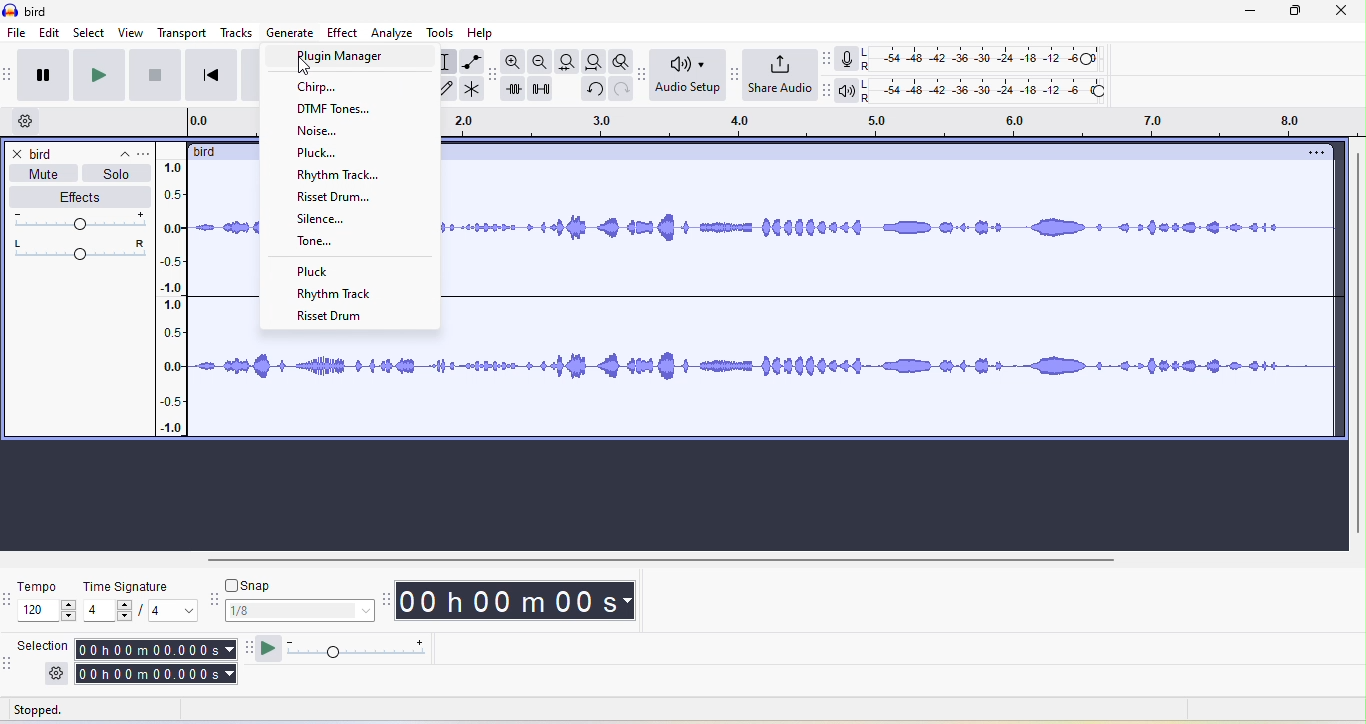  What do you see at coordinates (346, 35) in the screenshot?
I see `effect` at bounding box center [346, 35].